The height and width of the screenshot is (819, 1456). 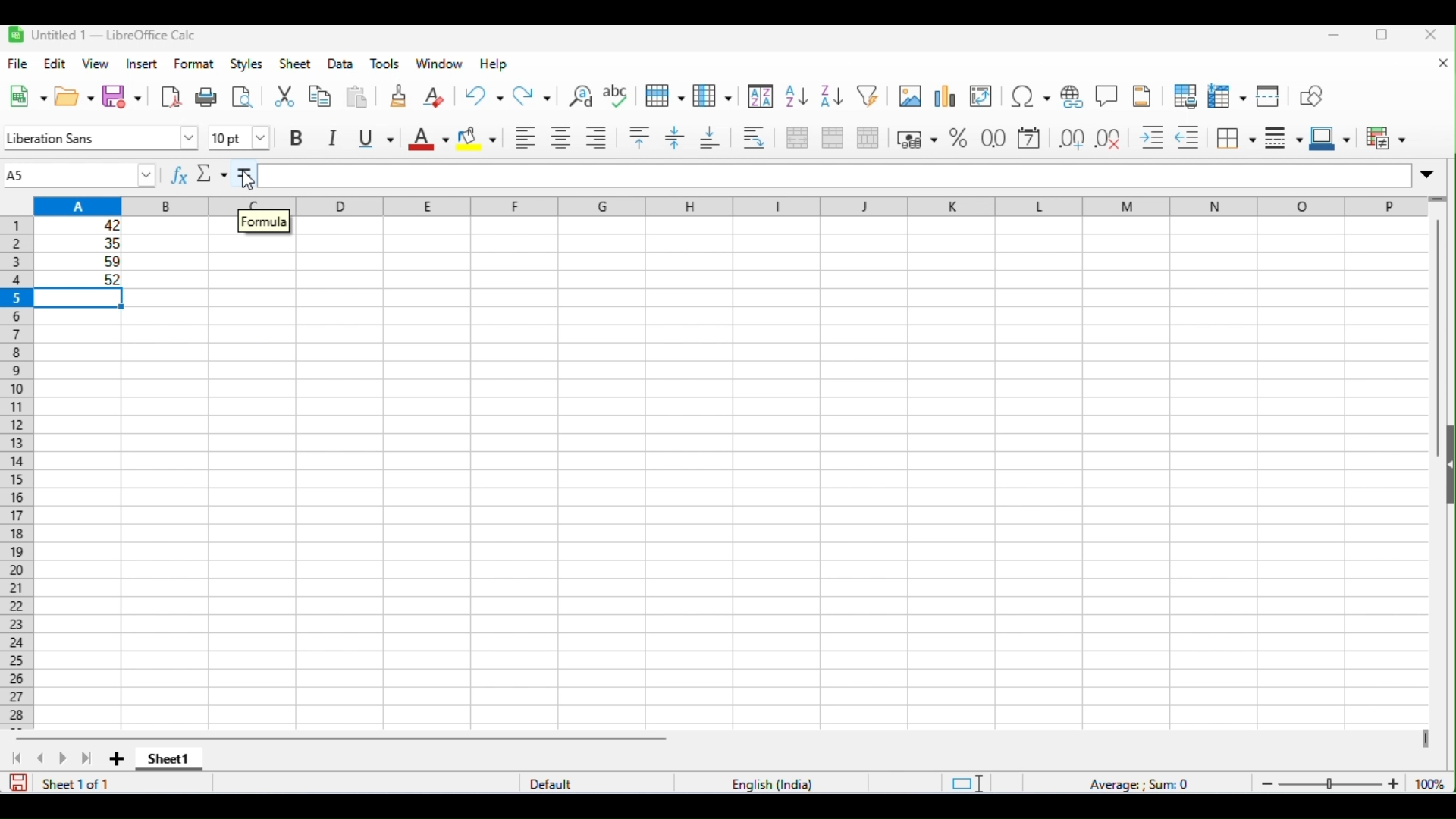 I want to click on new, so click(x=27, y=97).